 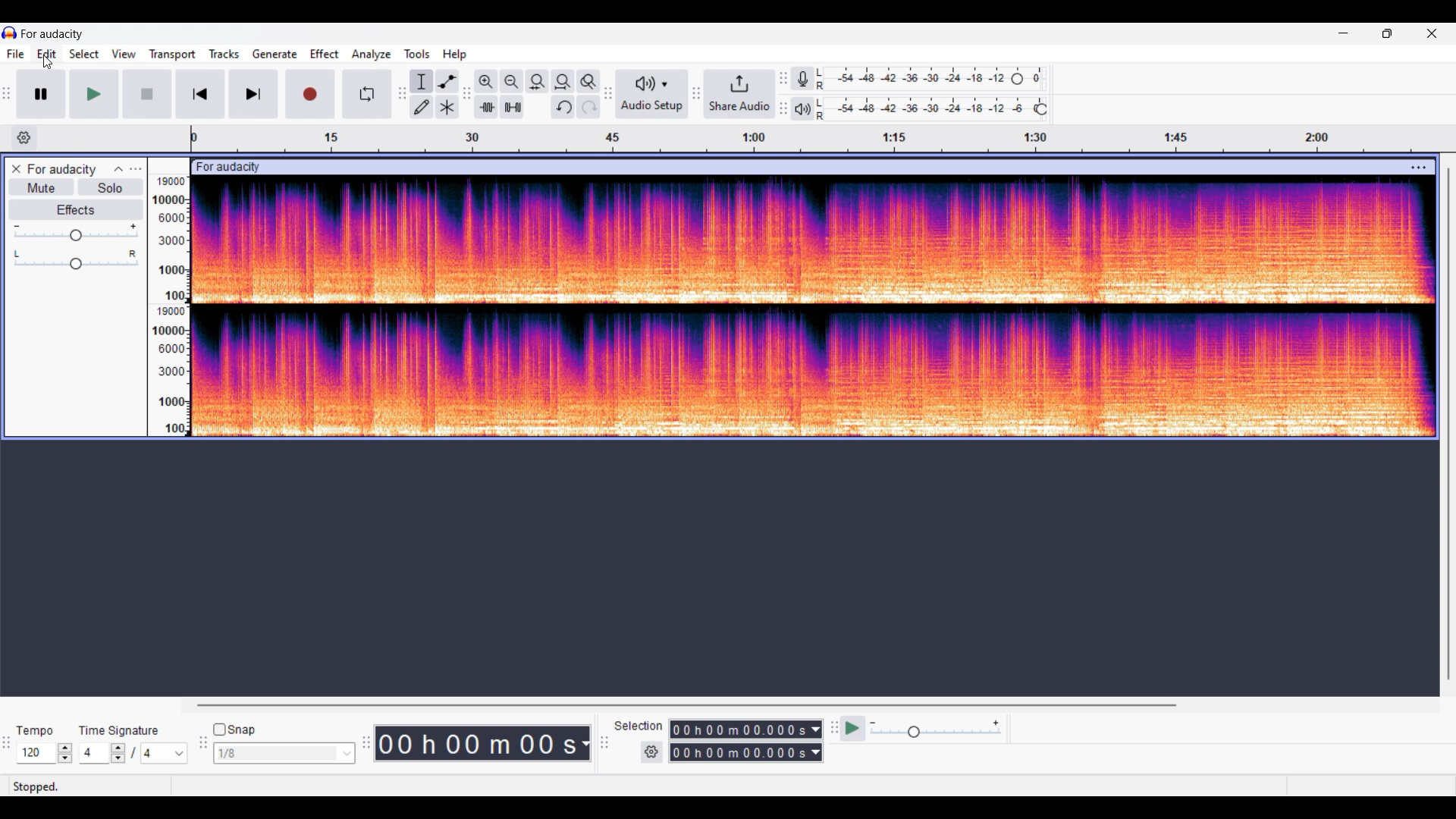 What do you see at coordinates (118, 169) in the screenshot?
I see `Collapse` at bounding box center [118, 169].